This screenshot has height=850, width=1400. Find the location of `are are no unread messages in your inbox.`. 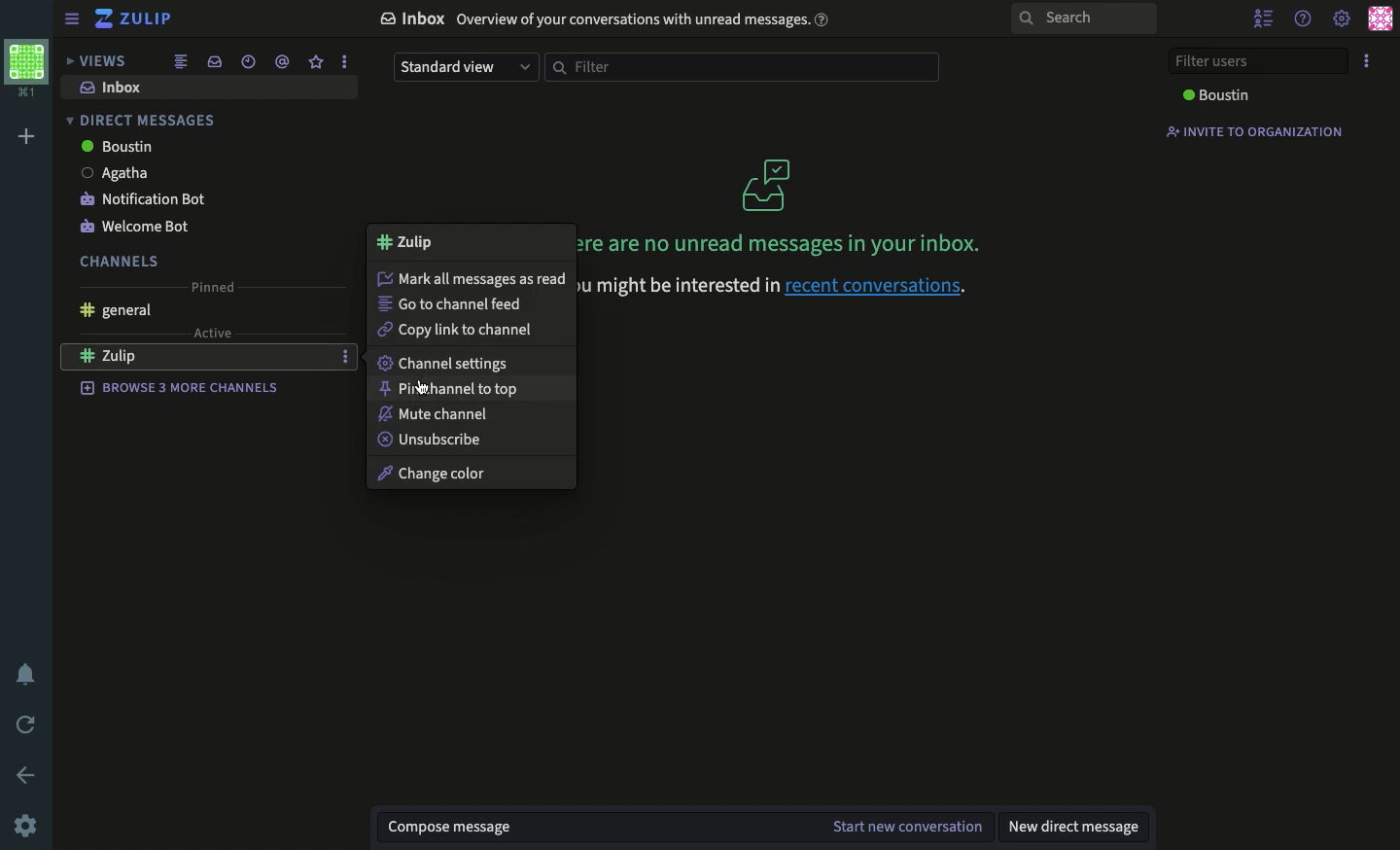

are are no unread messages in your inbox. is located at coordinates (782, 205).